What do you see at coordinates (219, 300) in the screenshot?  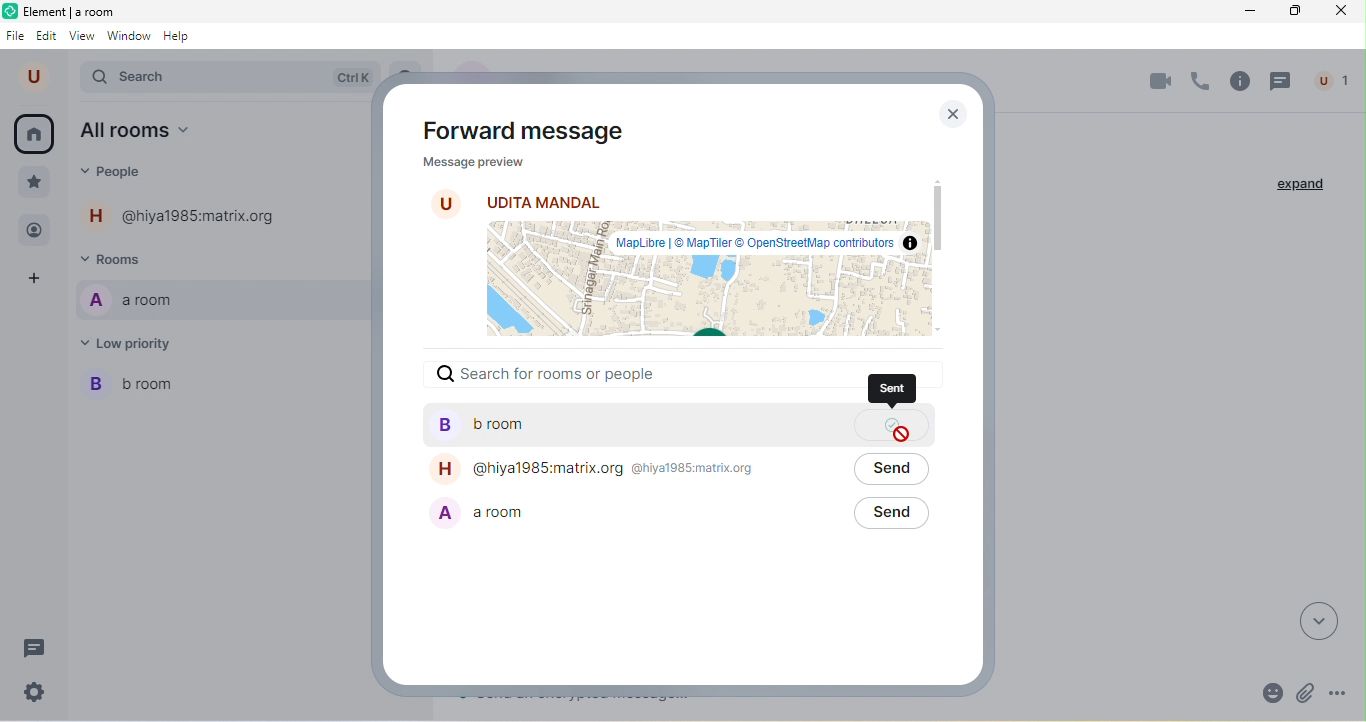 I see `a room` at bounding box center [219, 300].